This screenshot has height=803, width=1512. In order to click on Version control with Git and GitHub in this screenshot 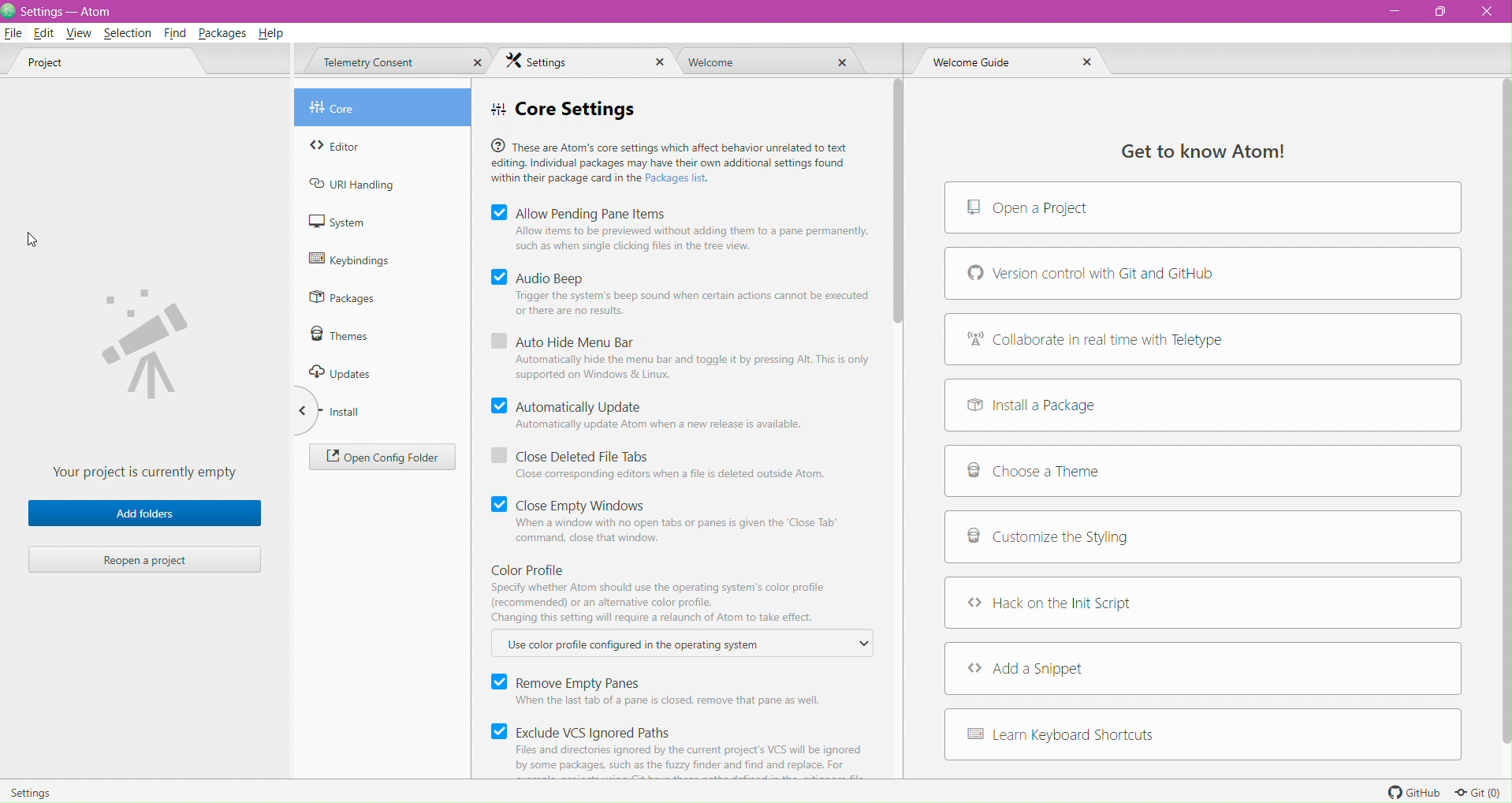, I will do `click(1202, 273)`.